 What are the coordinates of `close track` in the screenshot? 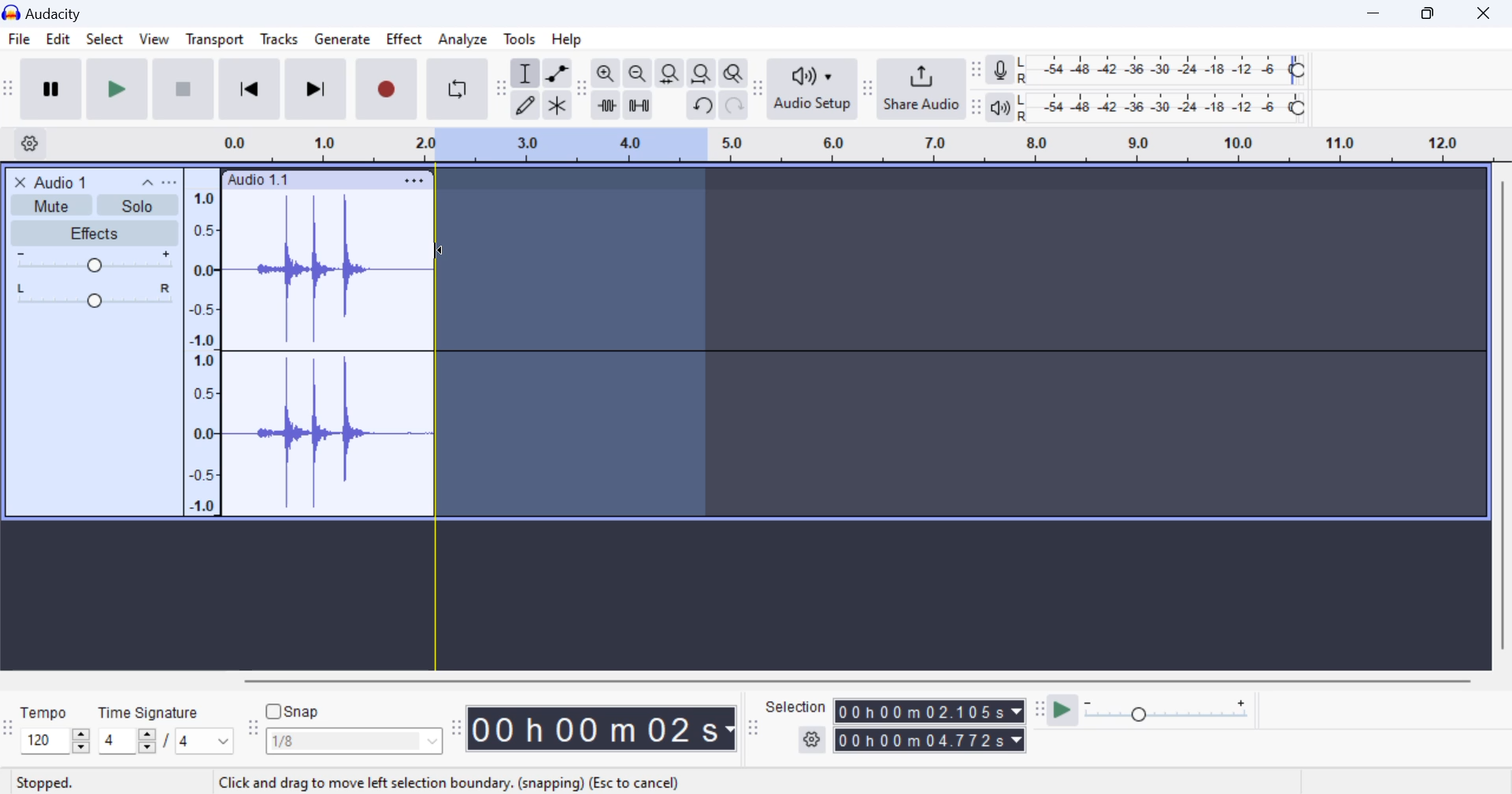 It's located at (20, 181).